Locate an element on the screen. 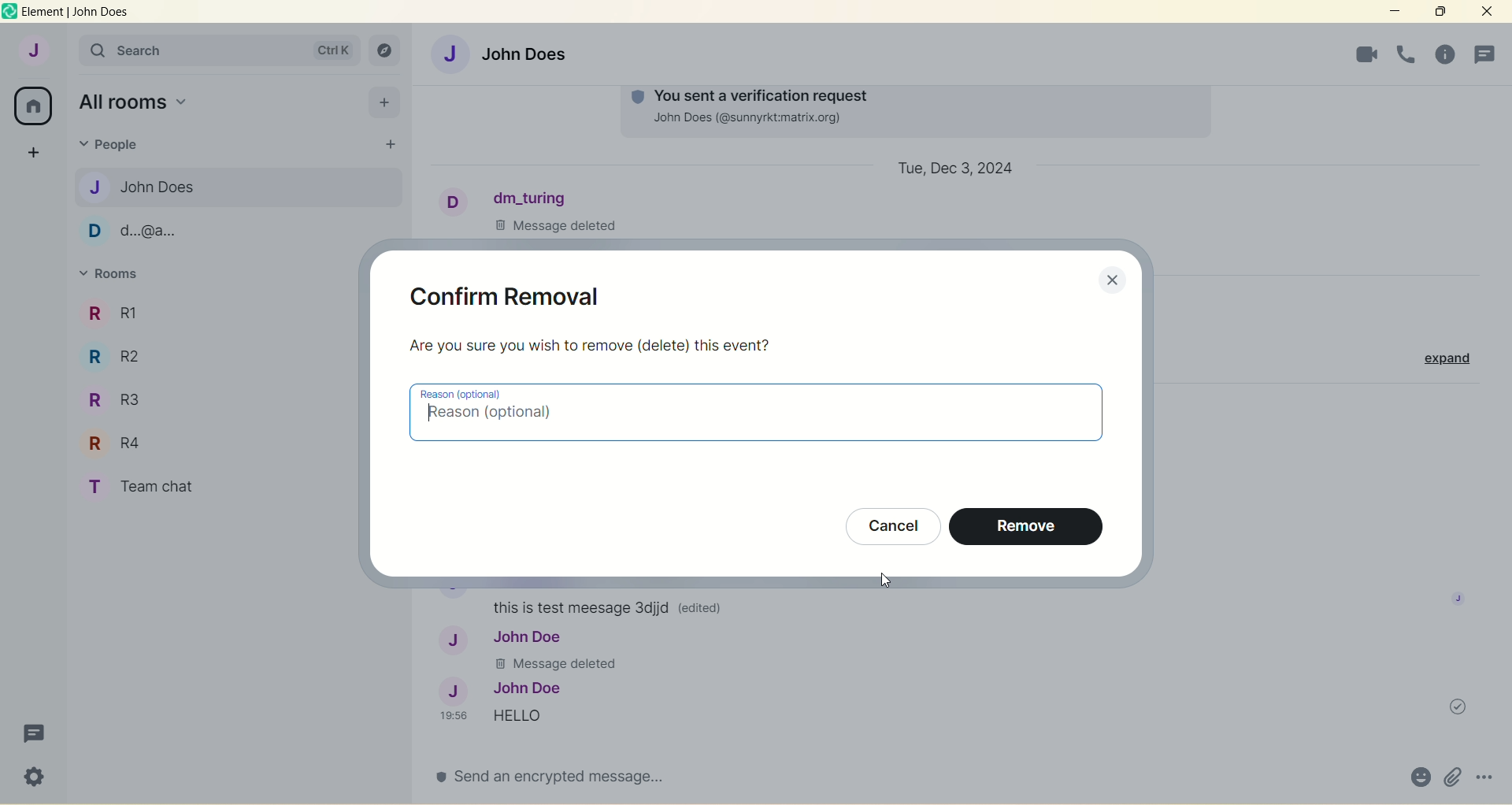 The height and width of the screenshot is (805, 1512). cancel is located at coordinates (889, 523).